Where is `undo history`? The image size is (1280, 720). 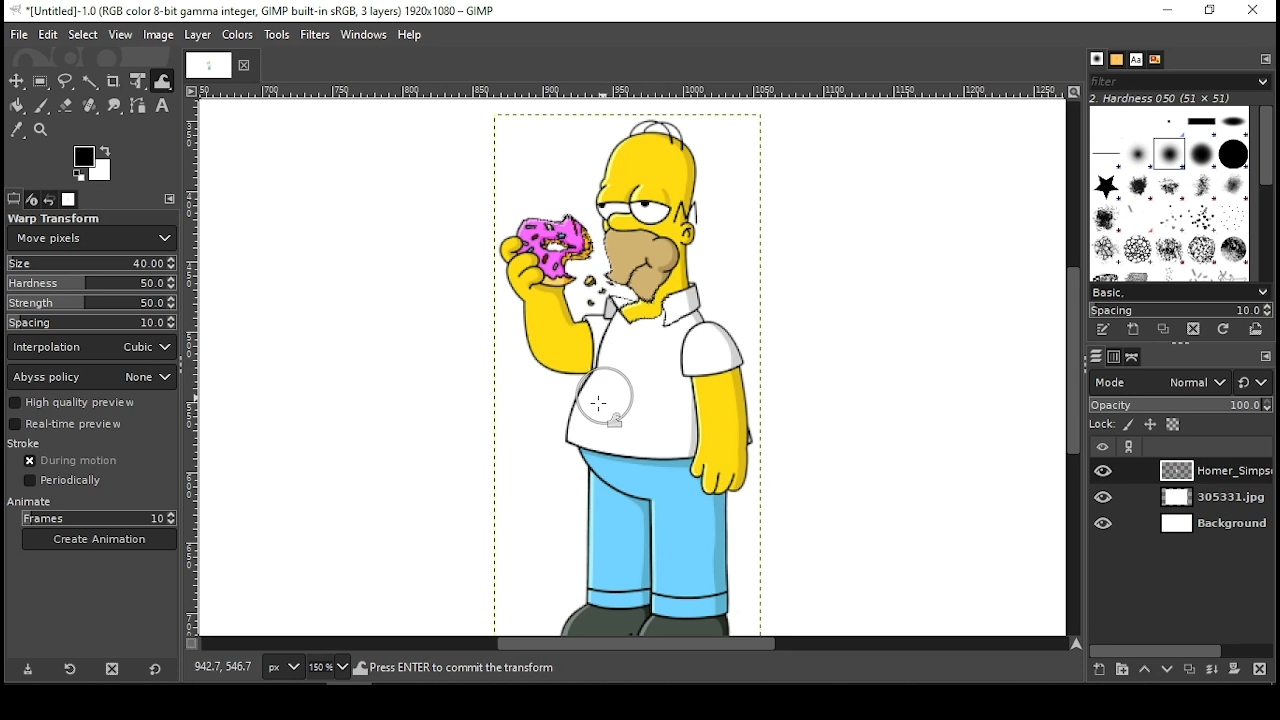 undo history is located at coordinates (49, 199).